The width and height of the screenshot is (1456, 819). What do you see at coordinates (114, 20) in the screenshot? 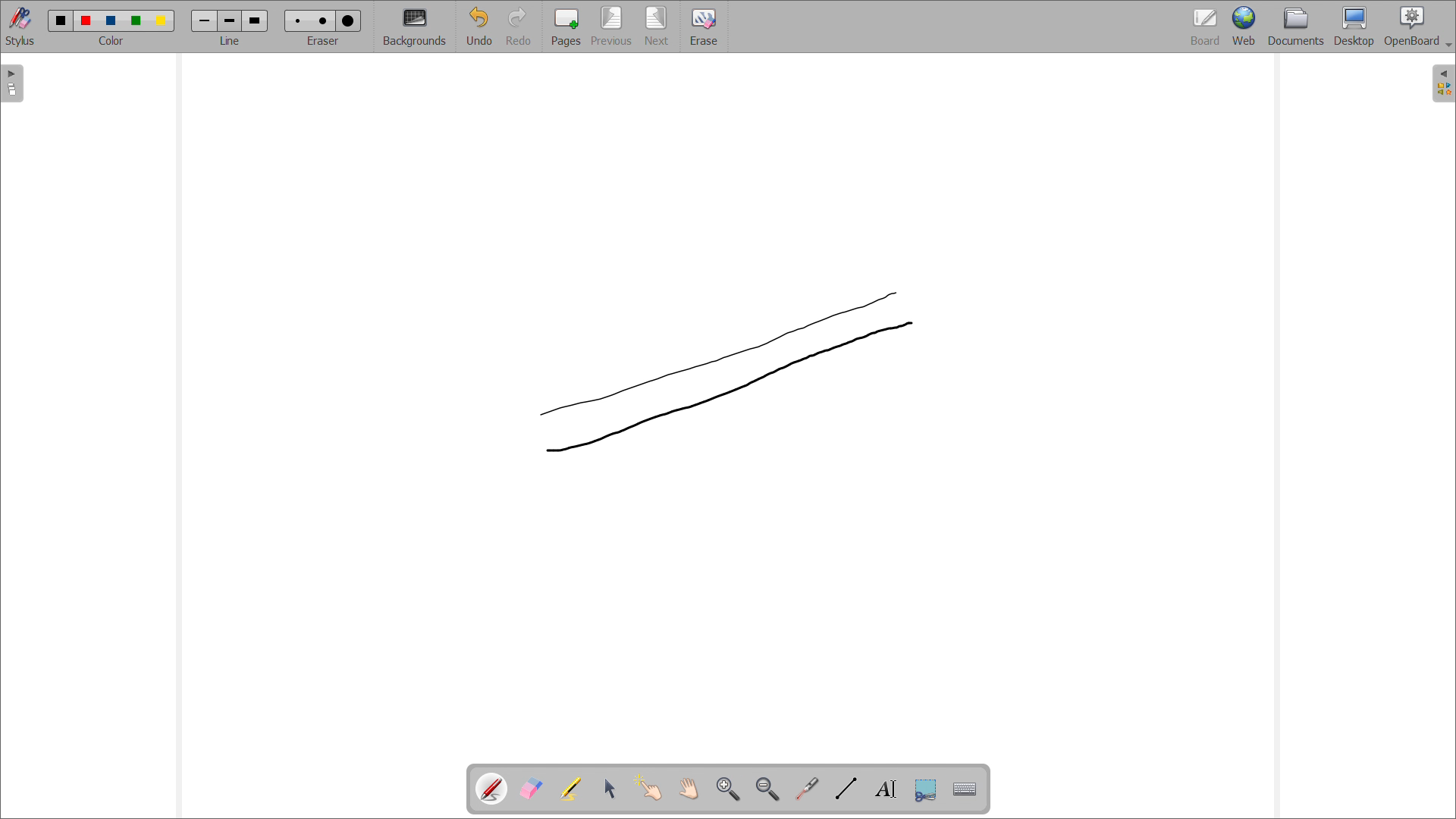
I see `color` at bounding box center [114, 20].